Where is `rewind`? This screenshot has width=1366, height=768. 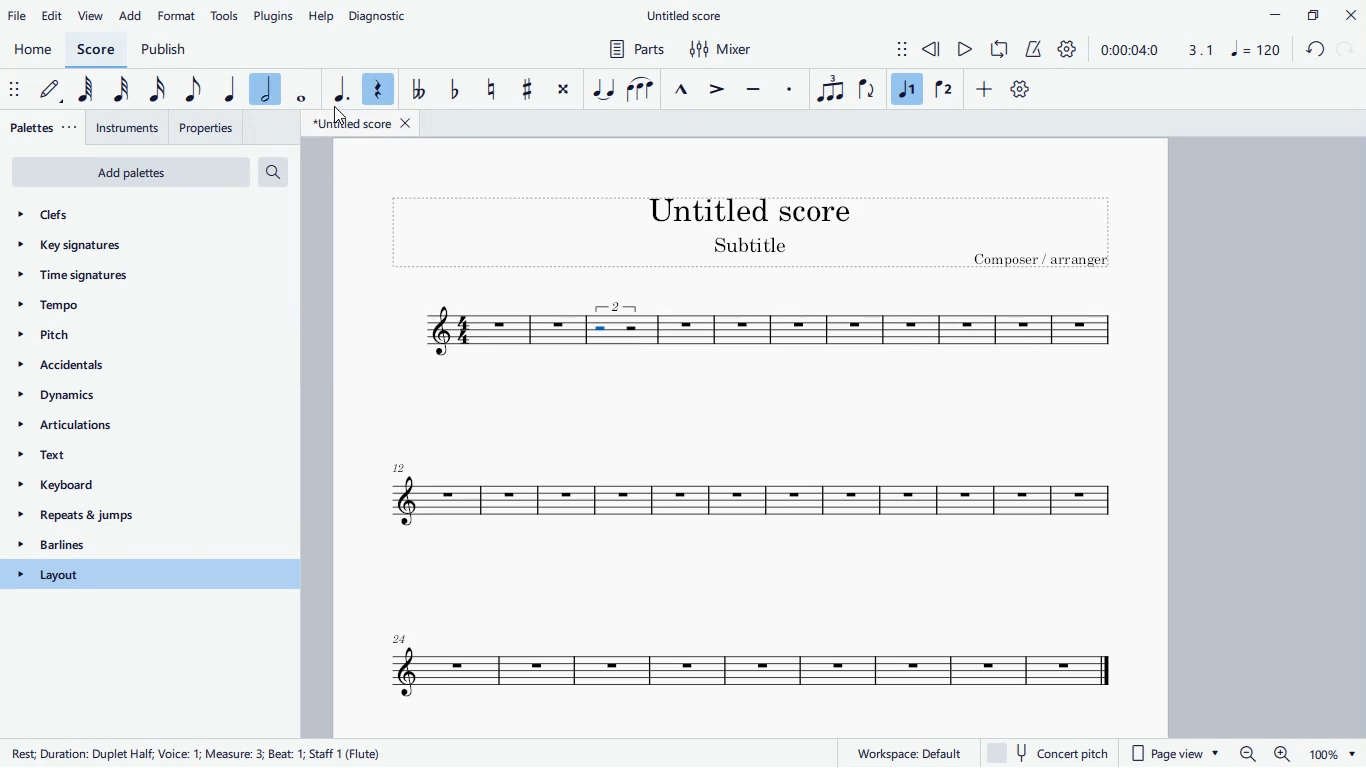 rewind is located at coordinates (932, 50).